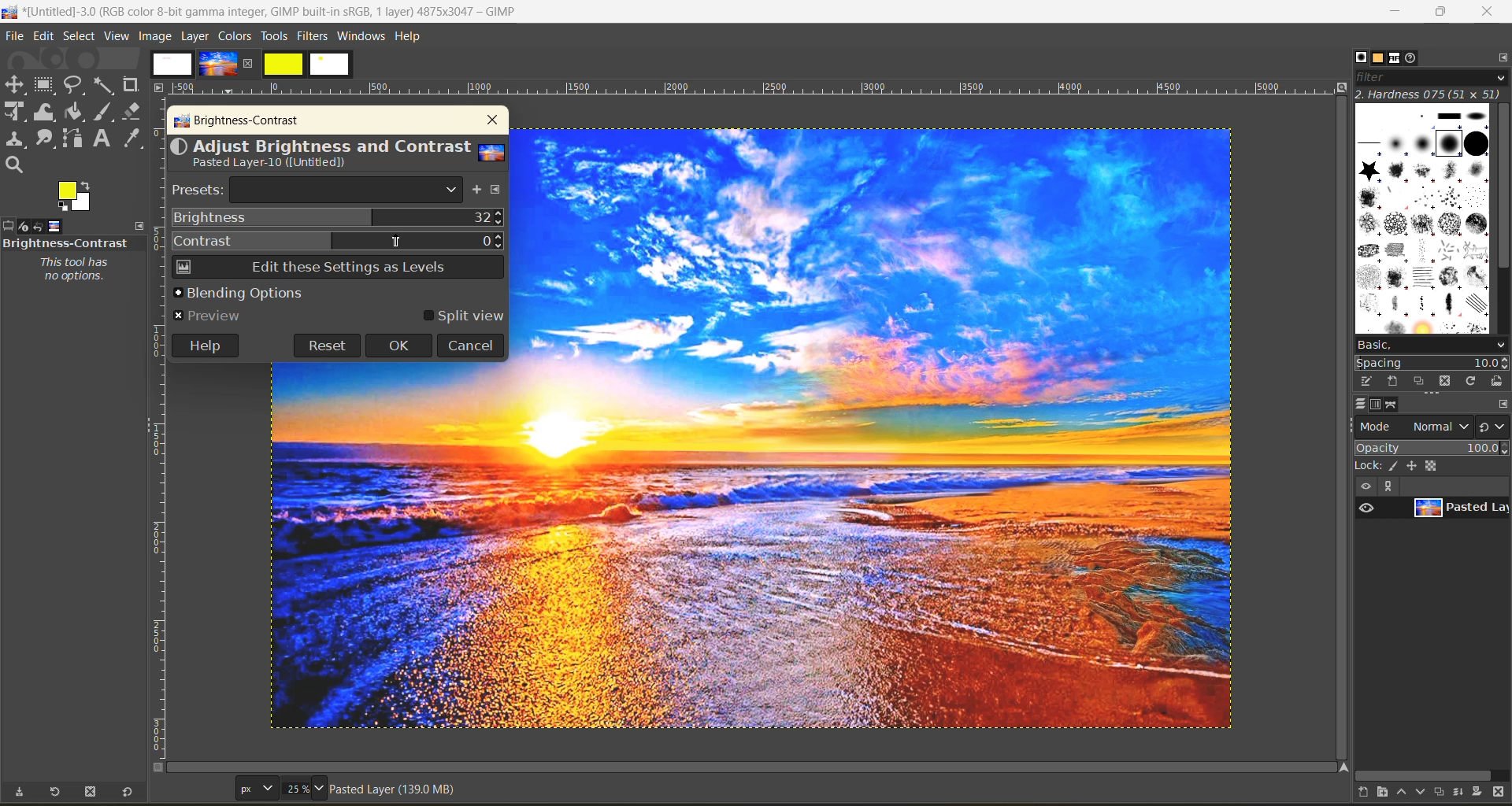 The image size is (1512, 806). I want to click on edit, so click(1368, 381).